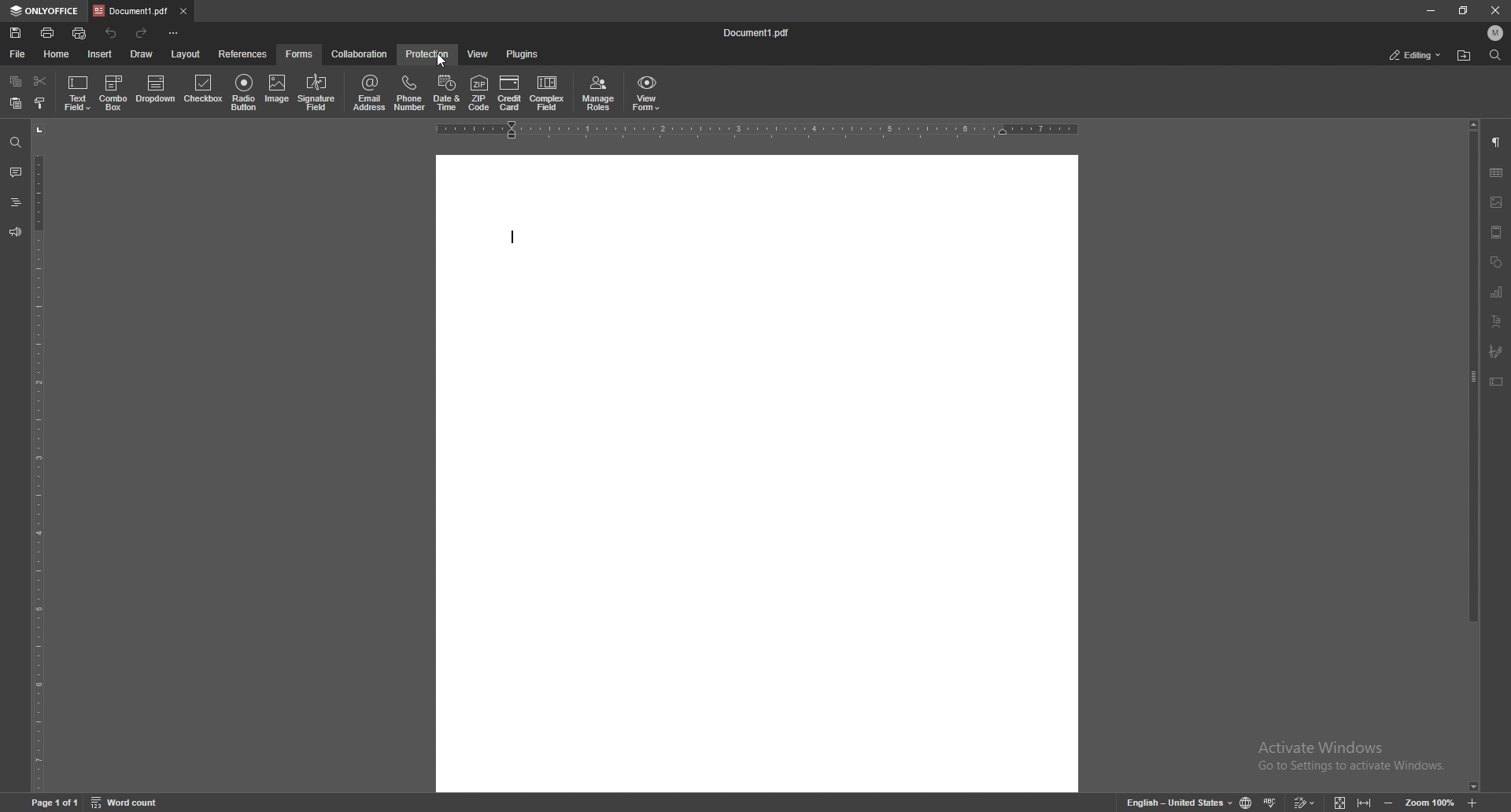  I want to click on customize toolbar, so click(172, 34).